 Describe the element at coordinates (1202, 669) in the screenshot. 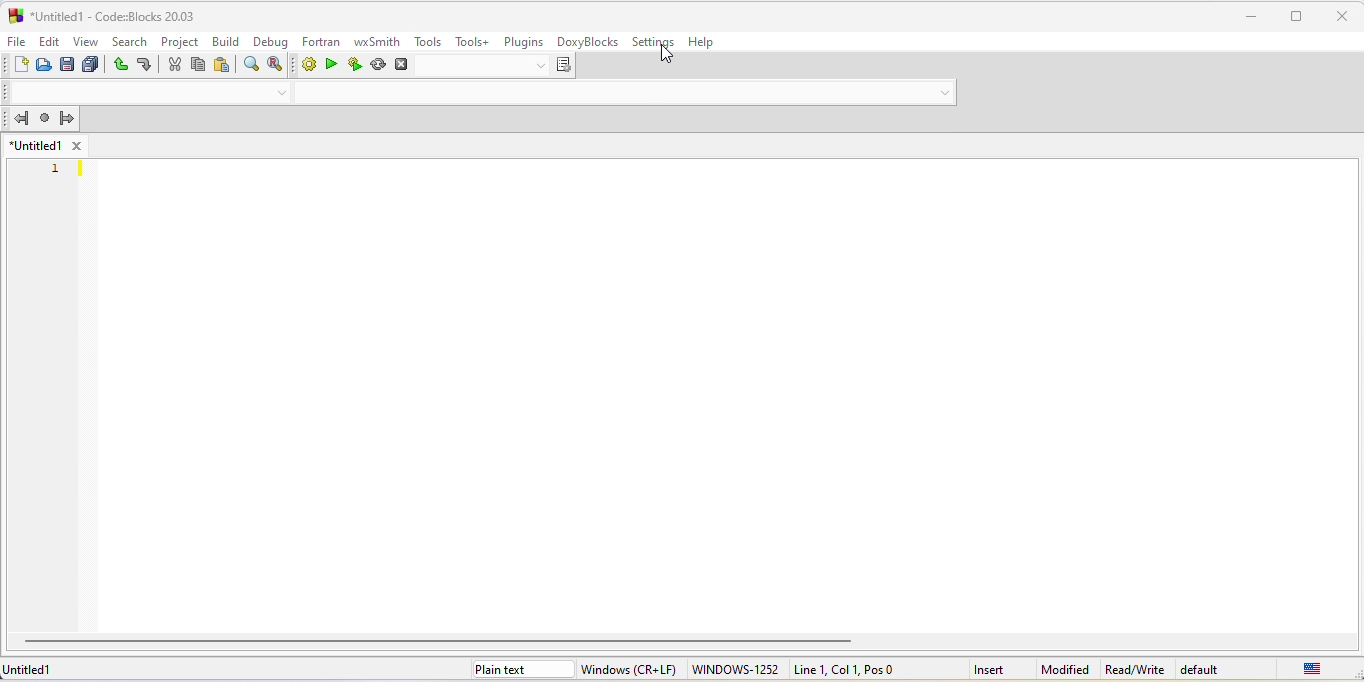

I see `default` at that location.